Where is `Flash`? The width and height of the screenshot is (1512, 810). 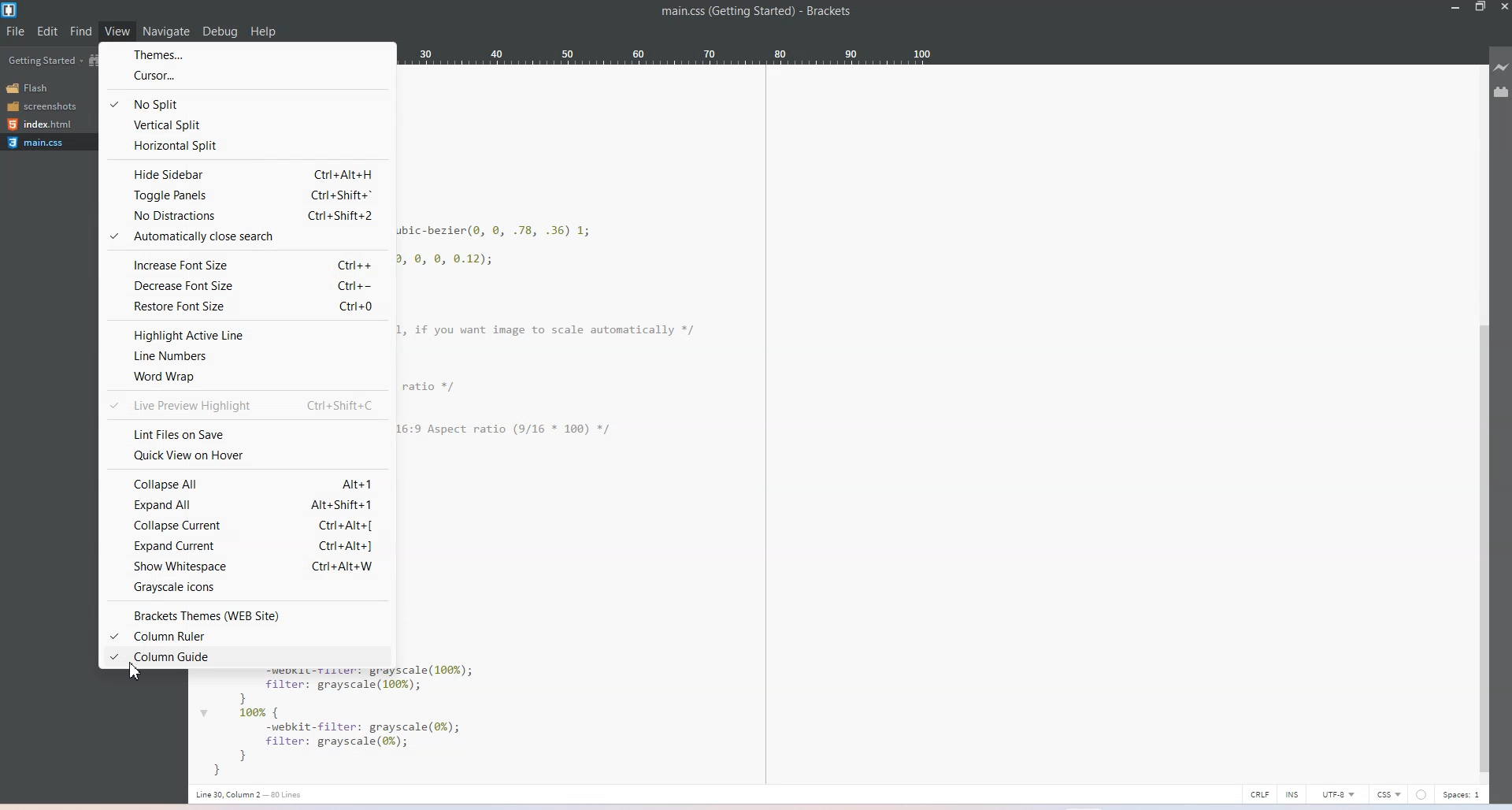 Flash is located at coordinates (47, 87).